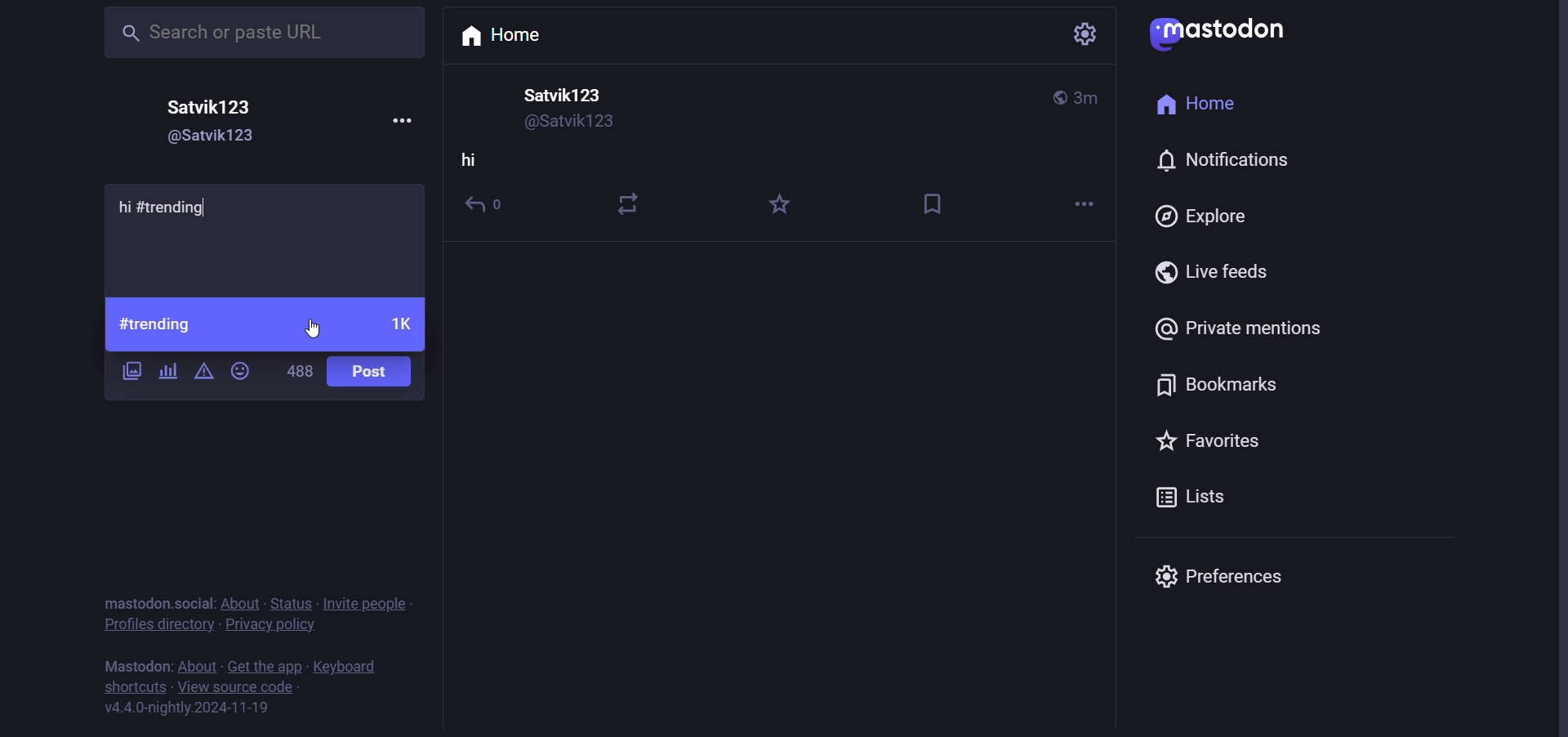 The width and height of the screenshot is (1568, 737). I want to click on policy, so click(273, 628).